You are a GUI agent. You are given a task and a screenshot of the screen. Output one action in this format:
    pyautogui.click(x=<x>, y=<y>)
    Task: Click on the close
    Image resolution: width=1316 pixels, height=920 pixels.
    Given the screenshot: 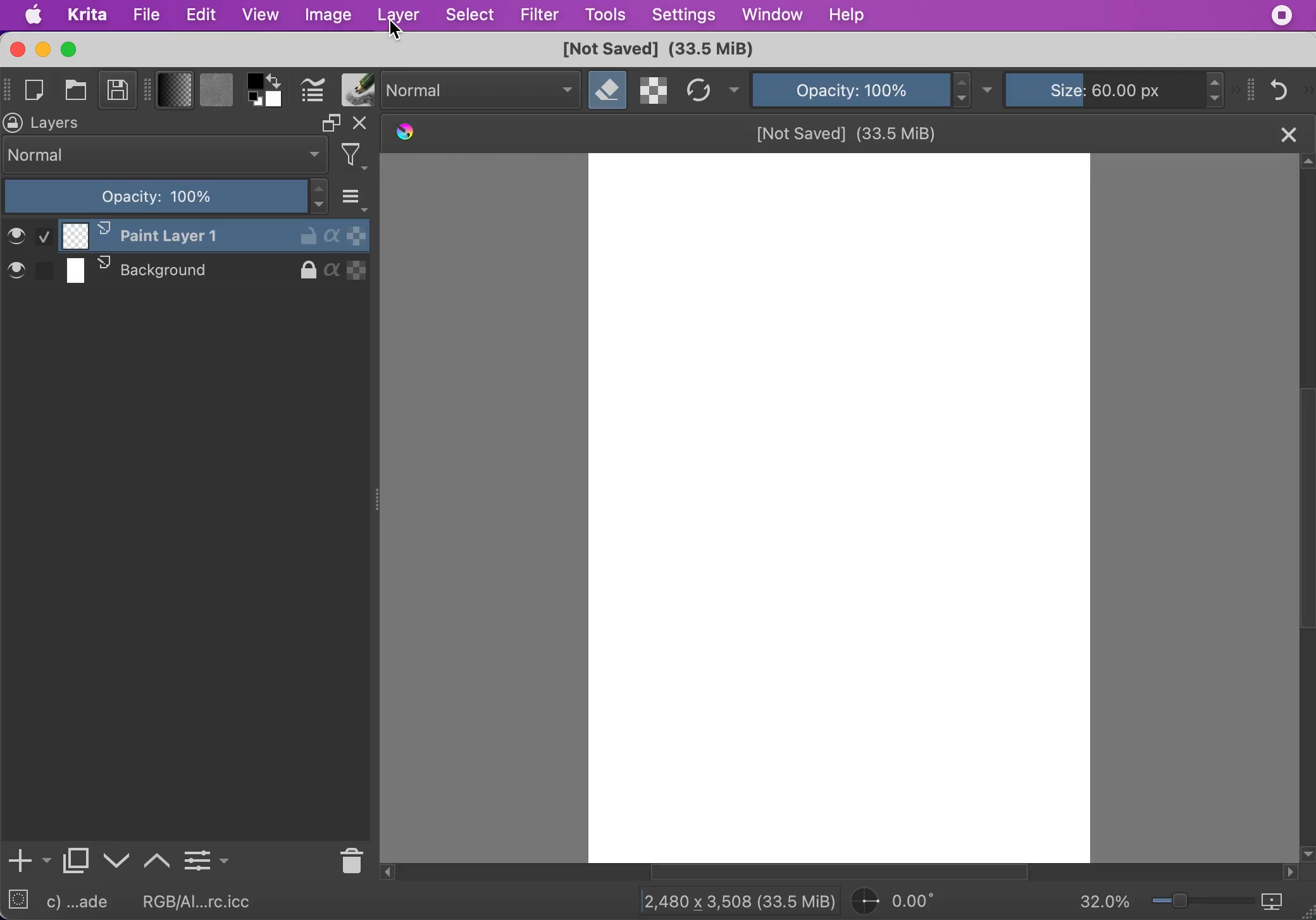 What is the action you would take?
    pyautogui.click(x=1287, y=133)
    